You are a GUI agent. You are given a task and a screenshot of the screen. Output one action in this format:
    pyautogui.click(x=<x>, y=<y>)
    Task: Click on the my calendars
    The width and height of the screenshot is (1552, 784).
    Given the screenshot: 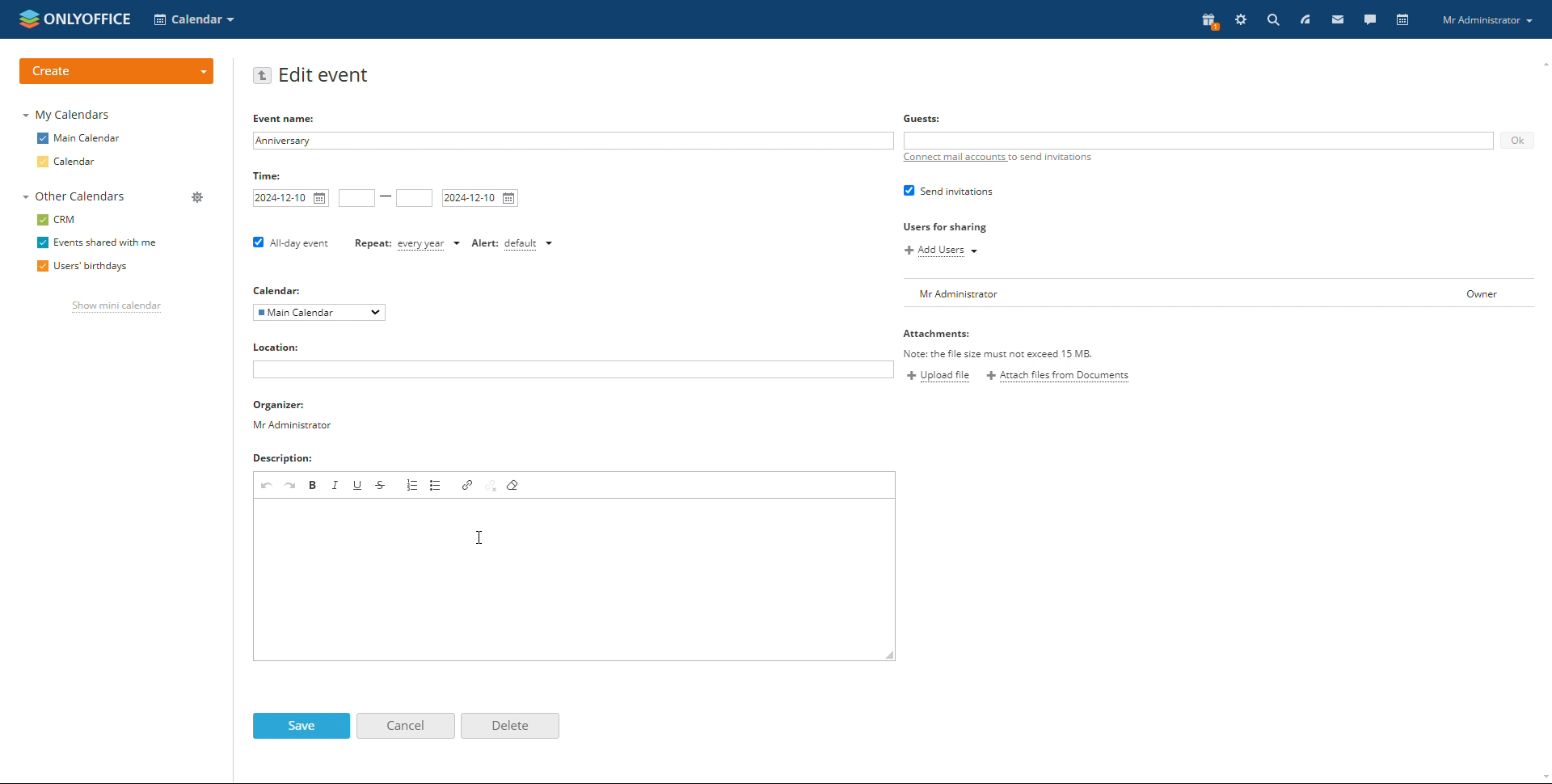 What is the action you would take?
    pyautogui.click(x=65, y=114)
    